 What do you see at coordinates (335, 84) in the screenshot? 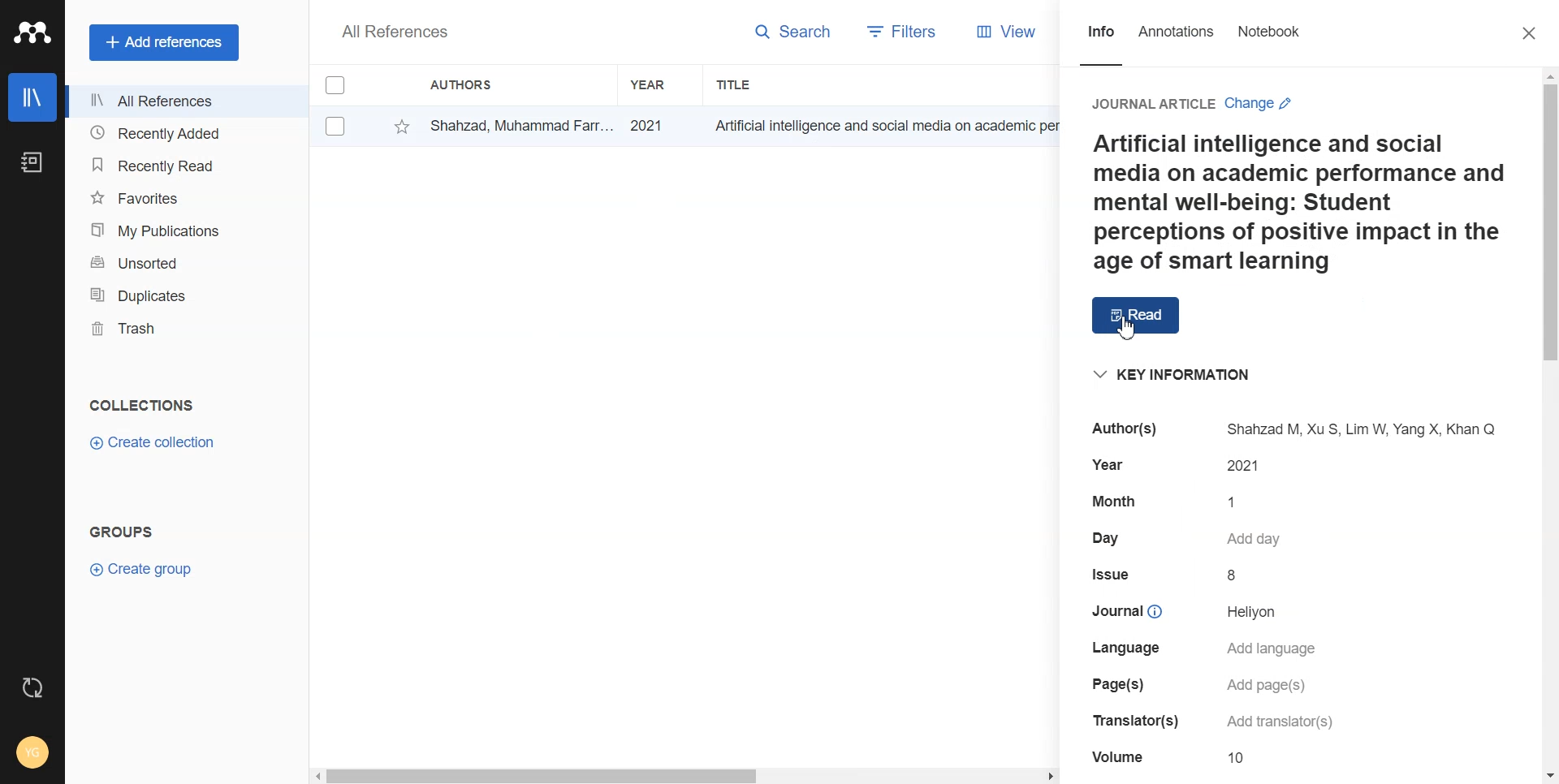
I see `Checkmarks` at bounding box center [335, 84].